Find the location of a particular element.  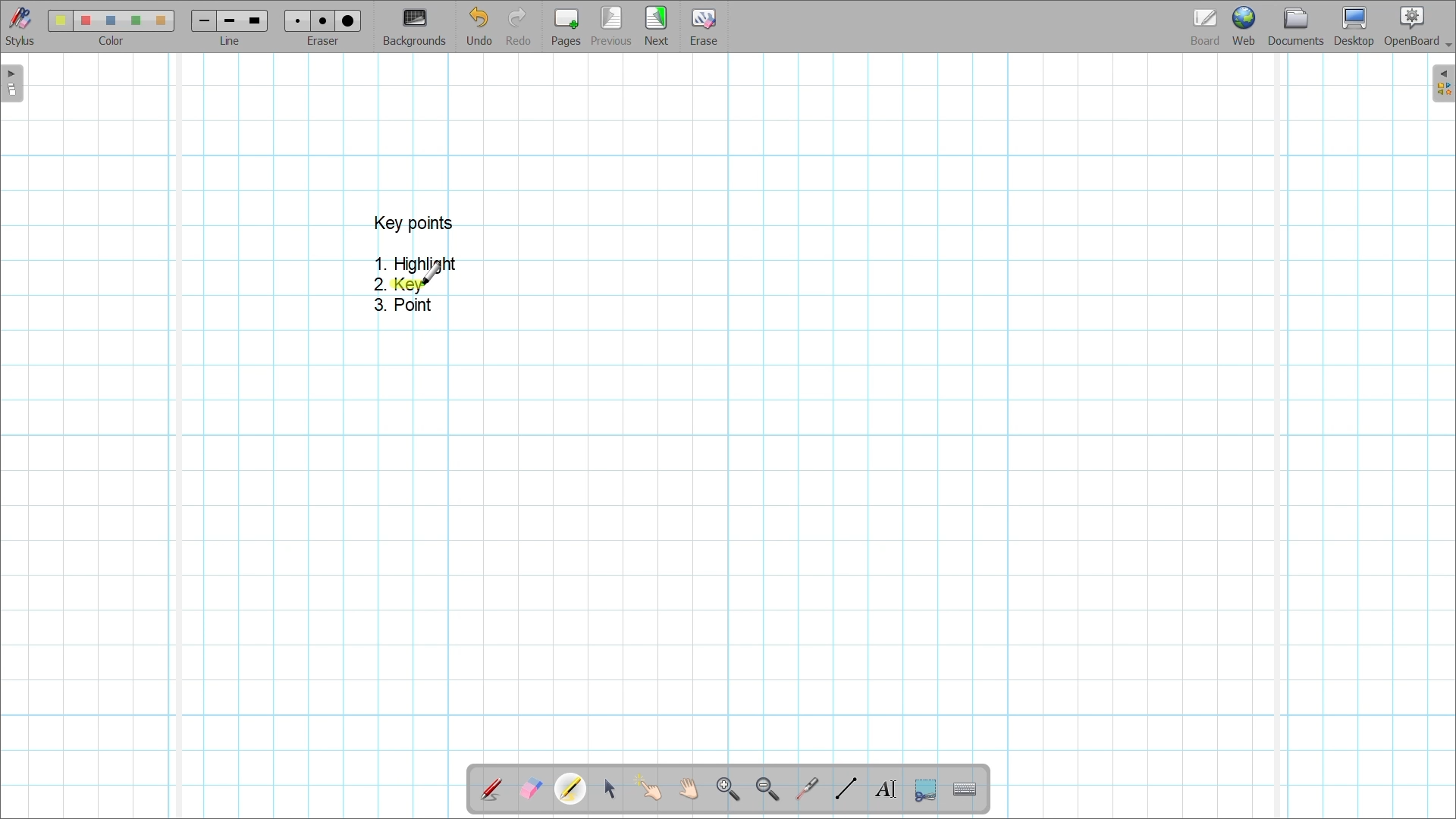

Write text is located at coordinates (885, 789).